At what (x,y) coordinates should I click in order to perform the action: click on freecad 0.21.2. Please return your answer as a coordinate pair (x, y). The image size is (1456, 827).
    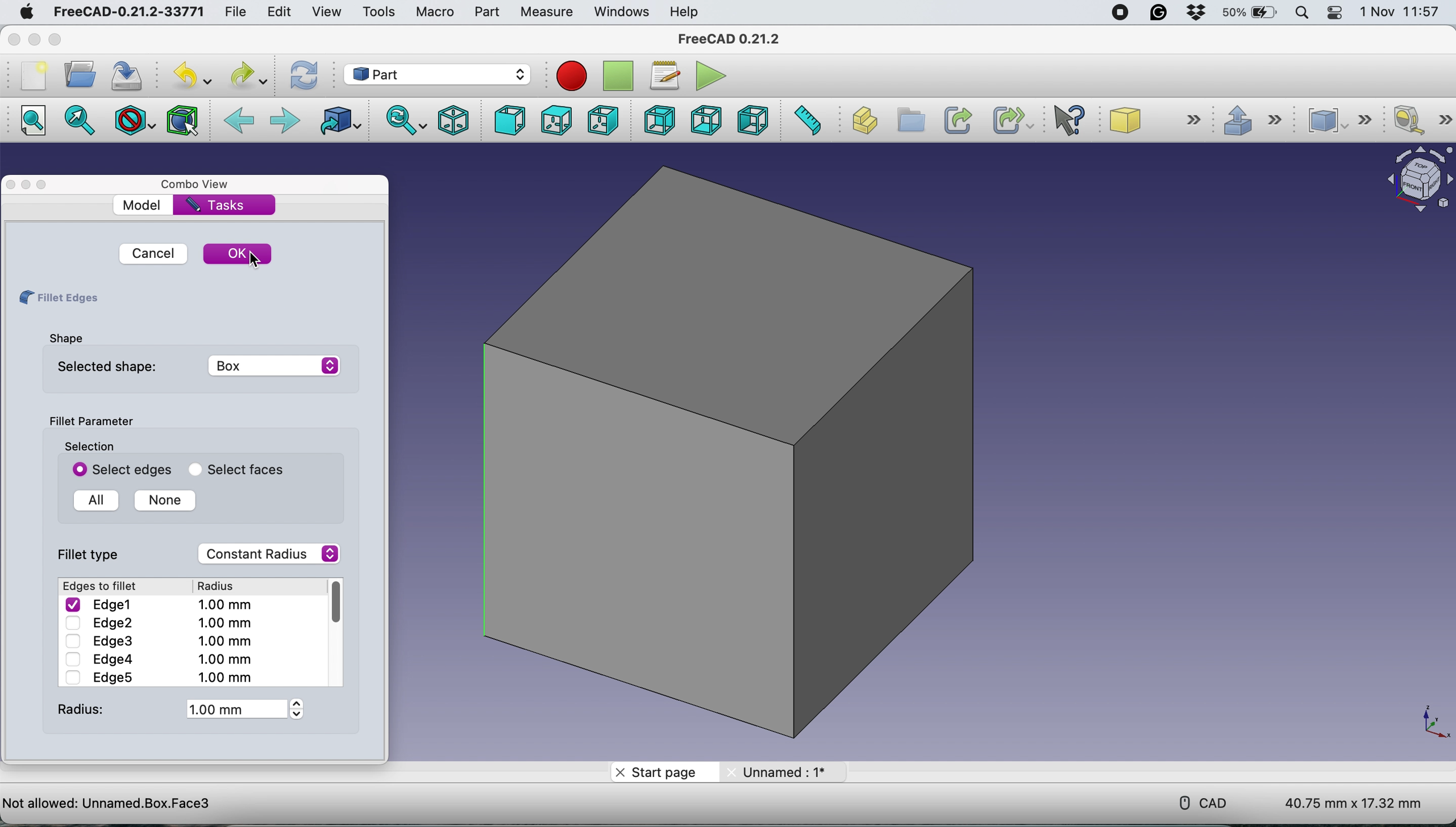
    Looking at the image, I should click on (731, 36).